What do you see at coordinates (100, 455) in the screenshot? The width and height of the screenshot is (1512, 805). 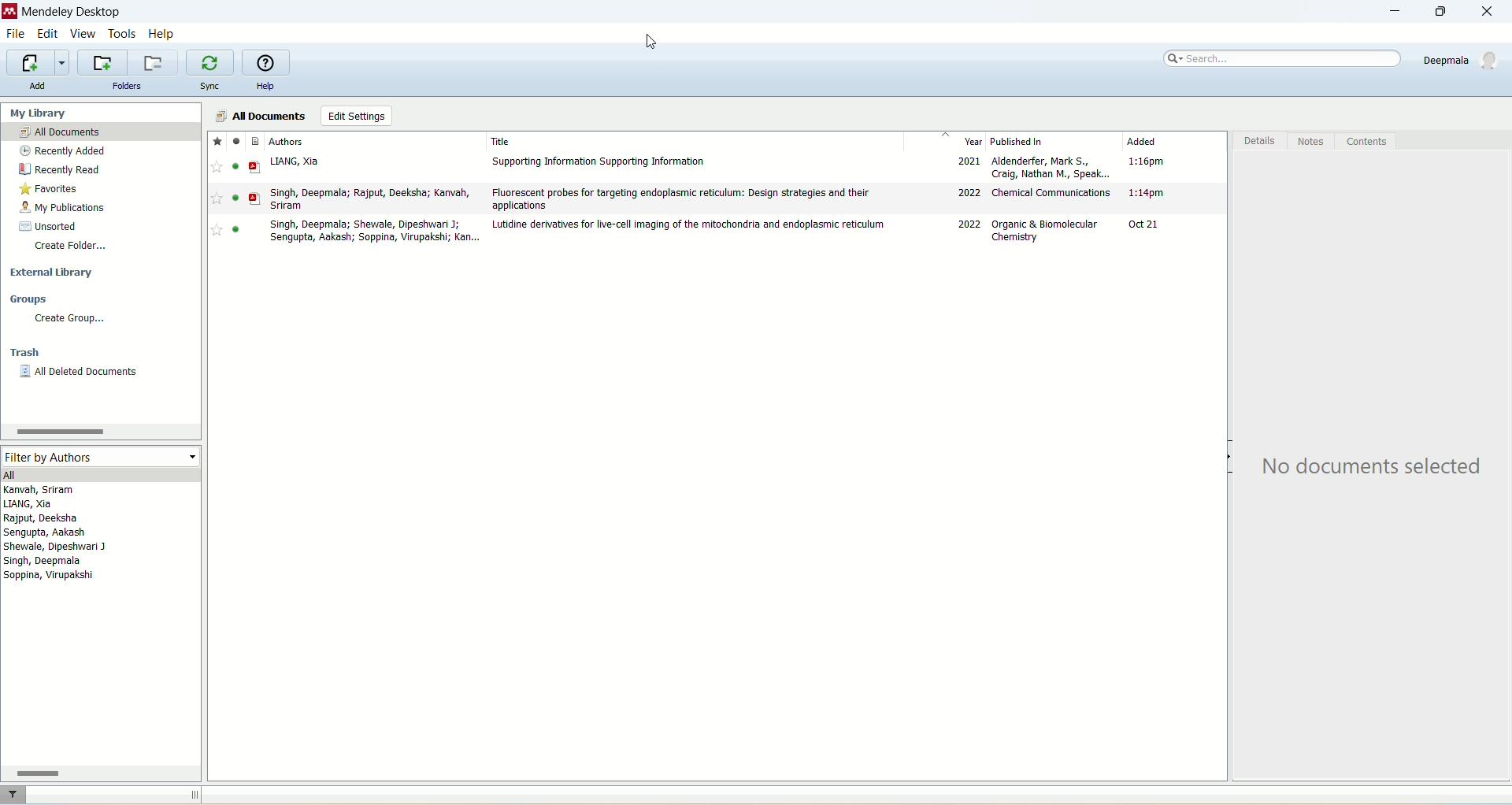 I see `filter by authors` at bounding box center [100, 455].